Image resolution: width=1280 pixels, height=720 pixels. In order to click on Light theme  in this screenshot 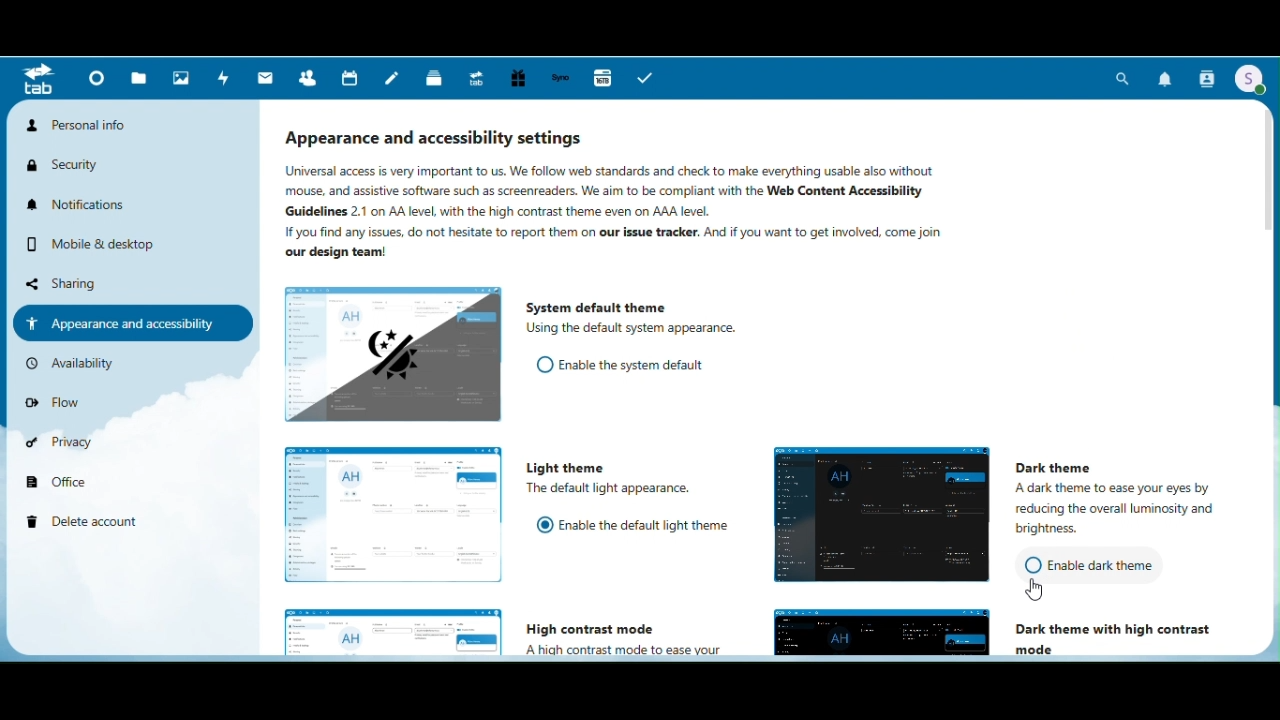, I will do `click(509, 511)`.